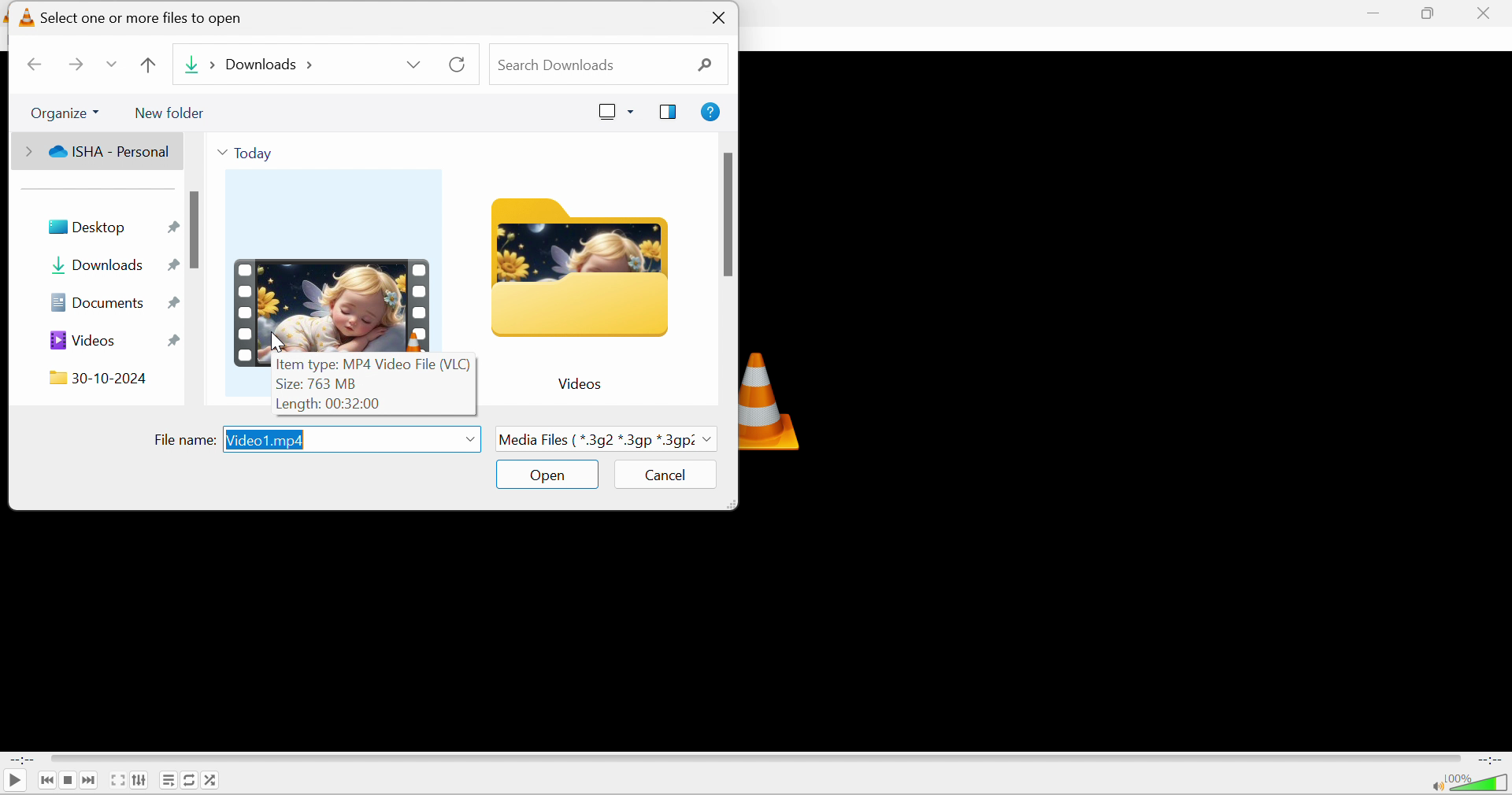  I want to click on Organize, so click(68, 114).